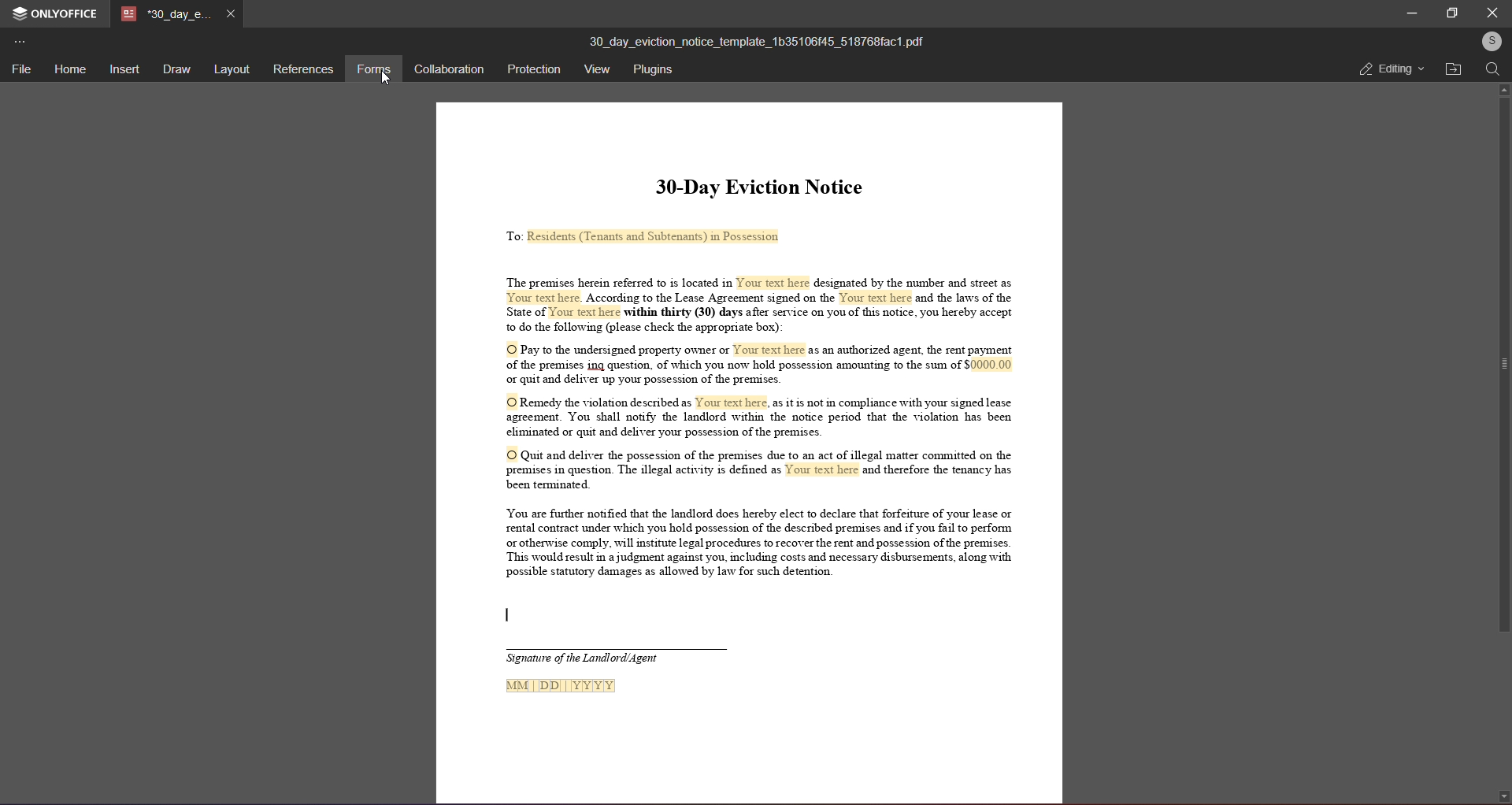 The width and height of the screenshot is (1512, 805). What do you see at coordinates (594, 69) in the screenshot?
I see `view` at bounding box center [594, 69].